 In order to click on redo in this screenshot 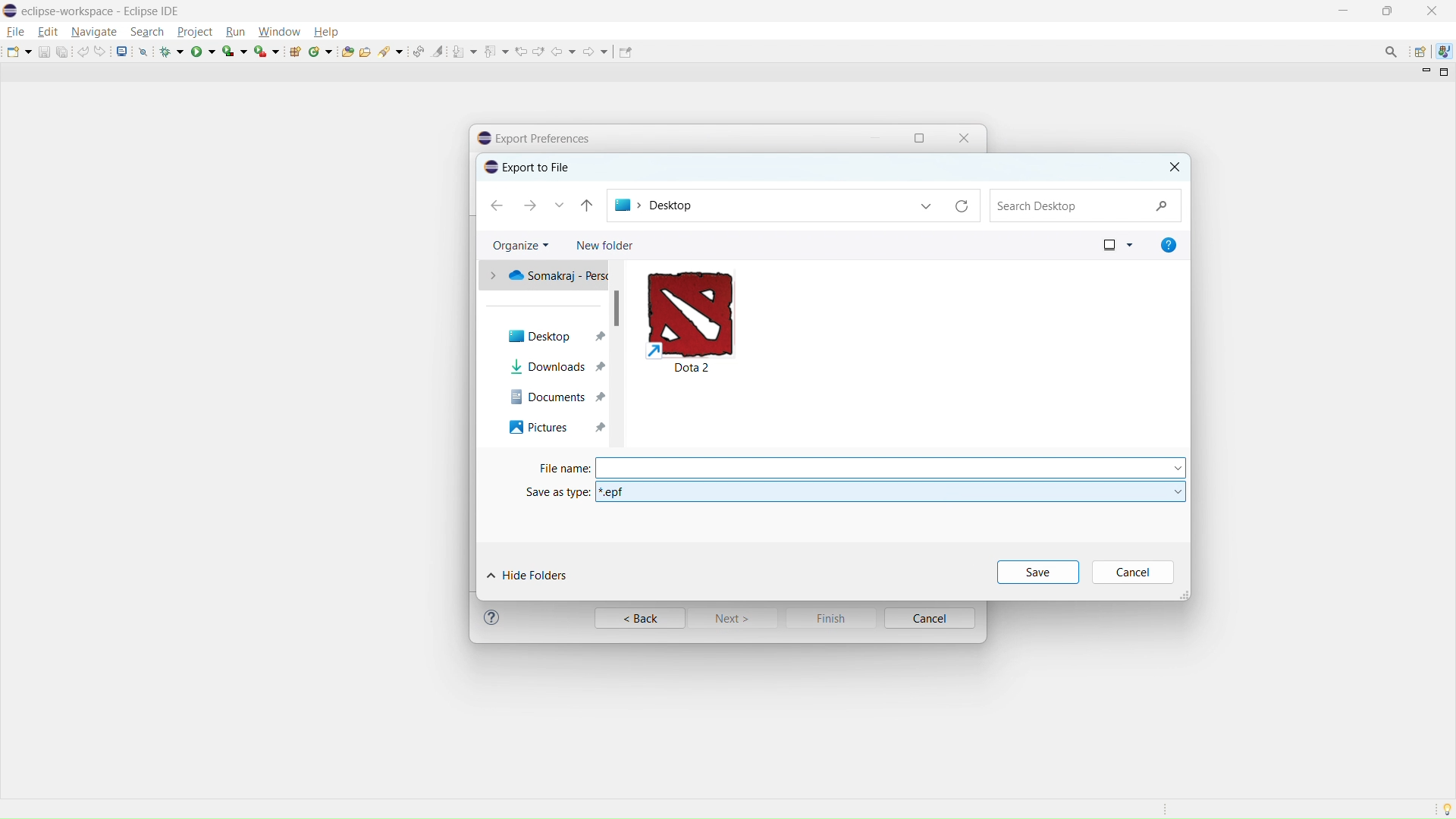, I will do `click(100, 52)`.